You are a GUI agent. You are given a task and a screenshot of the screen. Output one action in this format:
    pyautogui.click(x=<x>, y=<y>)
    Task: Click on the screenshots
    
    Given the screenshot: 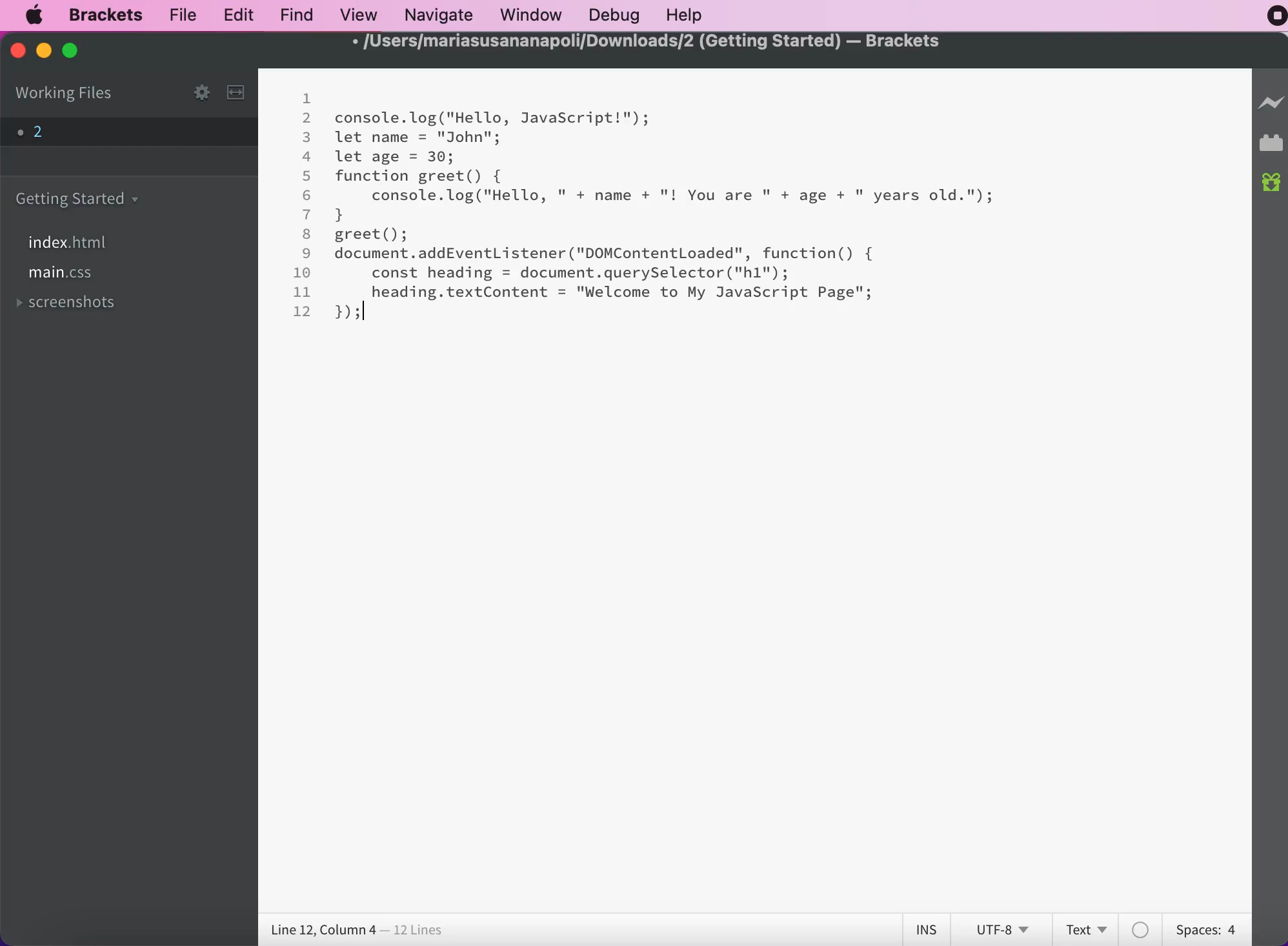 What is the action you would take?
    pyautogui.click(x=88, y=303)
    